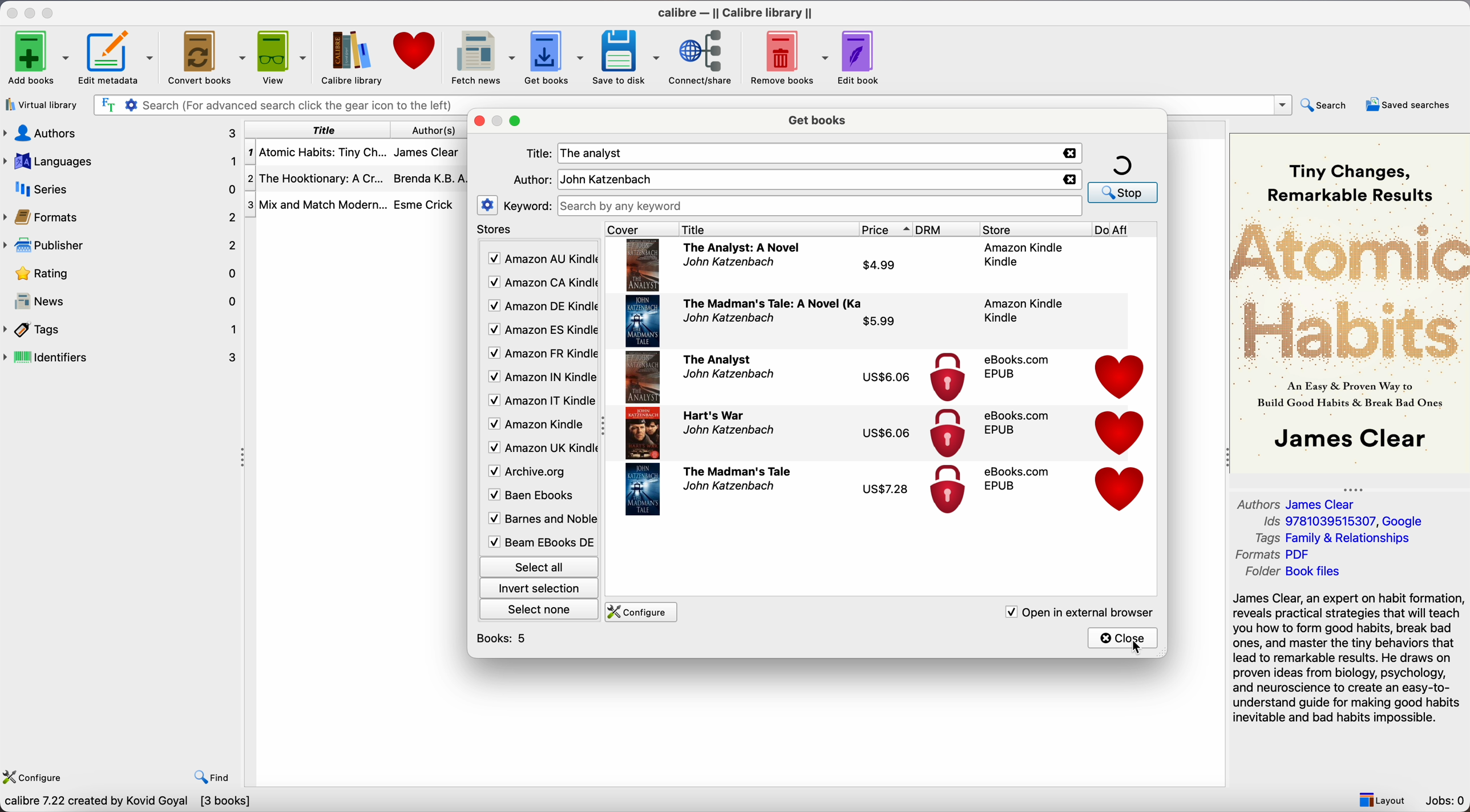 This screenshot has height=812, width=1470. What do you see at coordinates (123, 217) in the screenshot?
I see `formats` at bounding box center [123, 217].